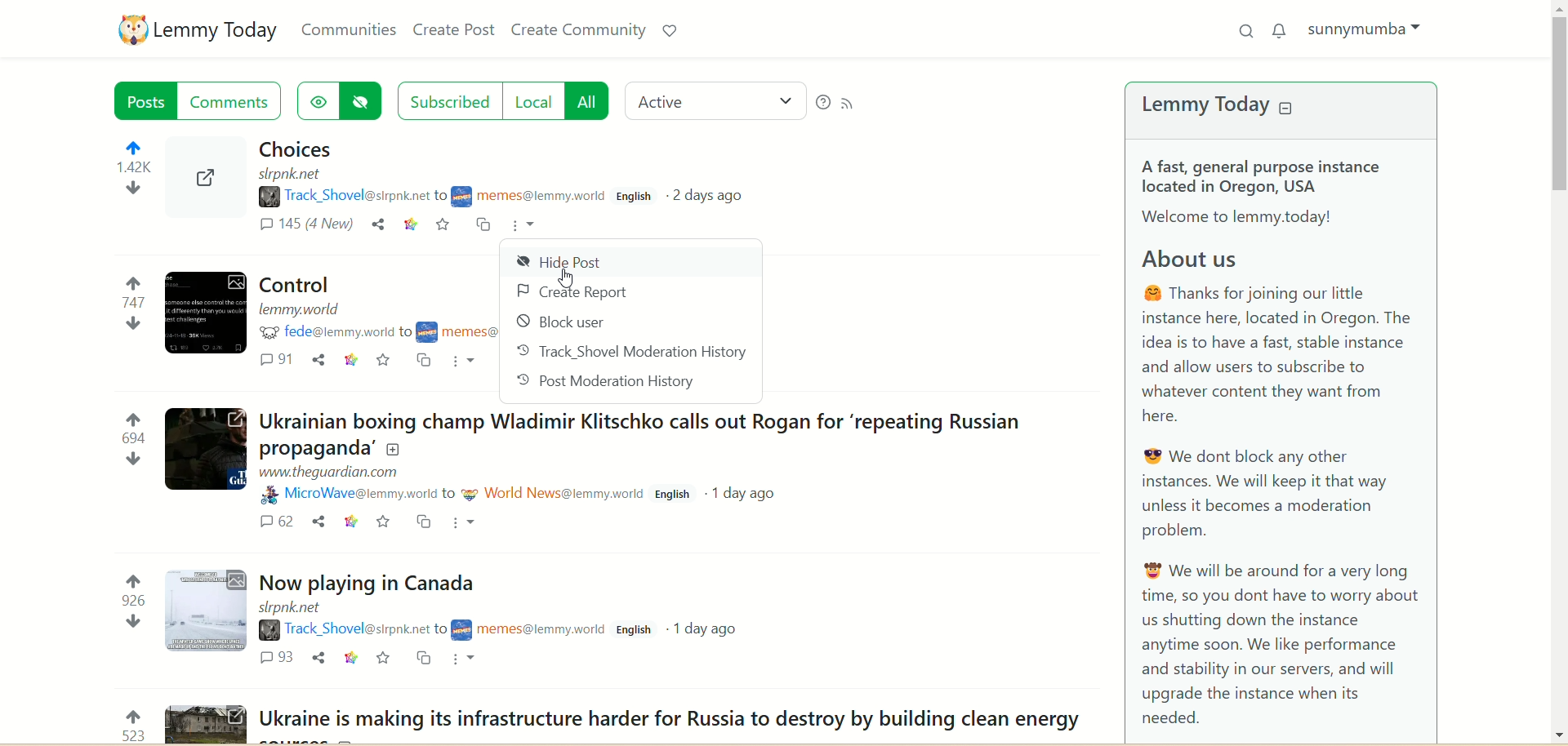 Image resolution: width=1568 pixels, height=746 pixels. I want to click on communities, so click(346, 30).